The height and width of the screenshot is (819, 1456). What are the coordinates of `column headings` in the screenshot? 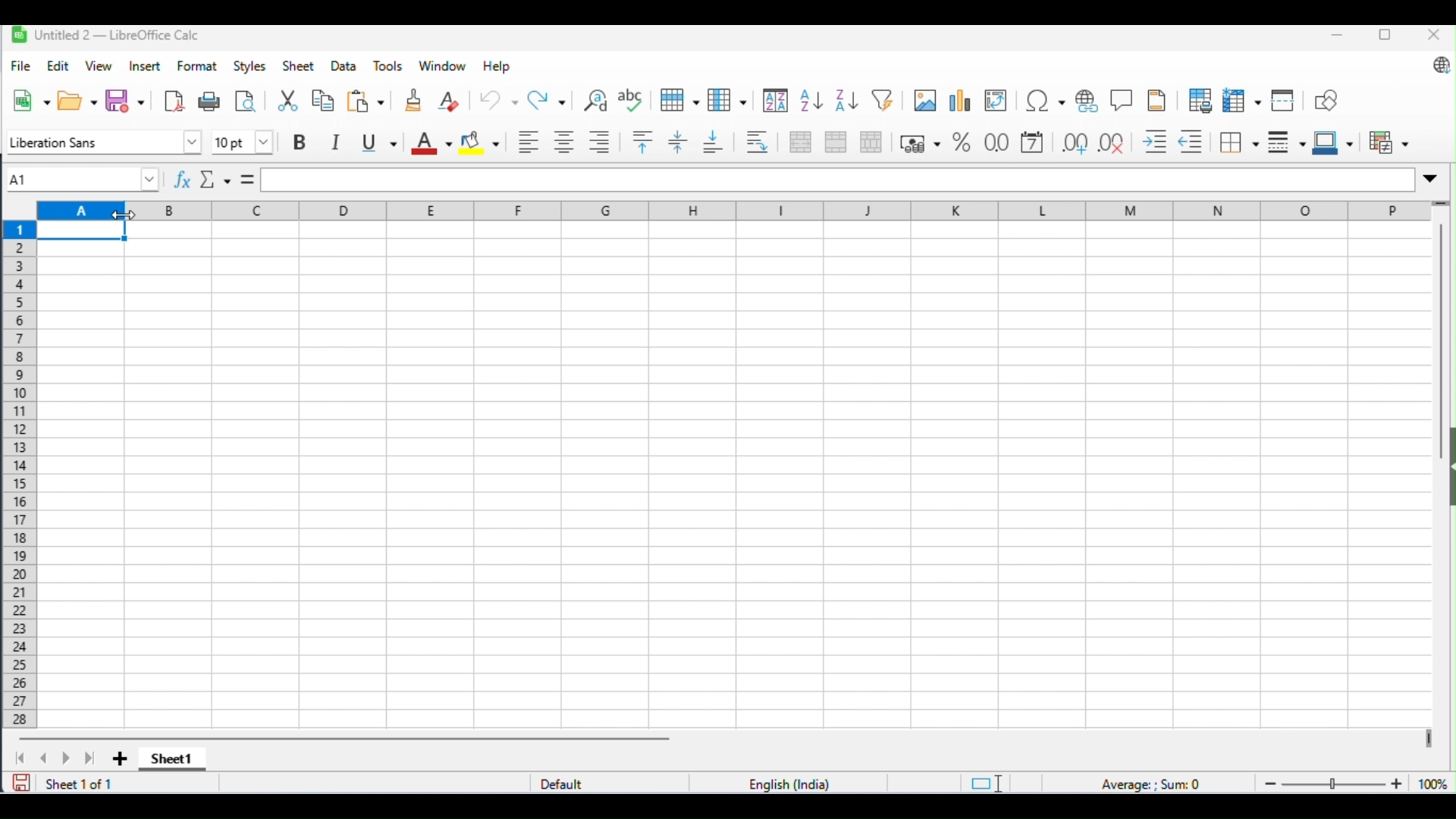 It's located at (734, 210).